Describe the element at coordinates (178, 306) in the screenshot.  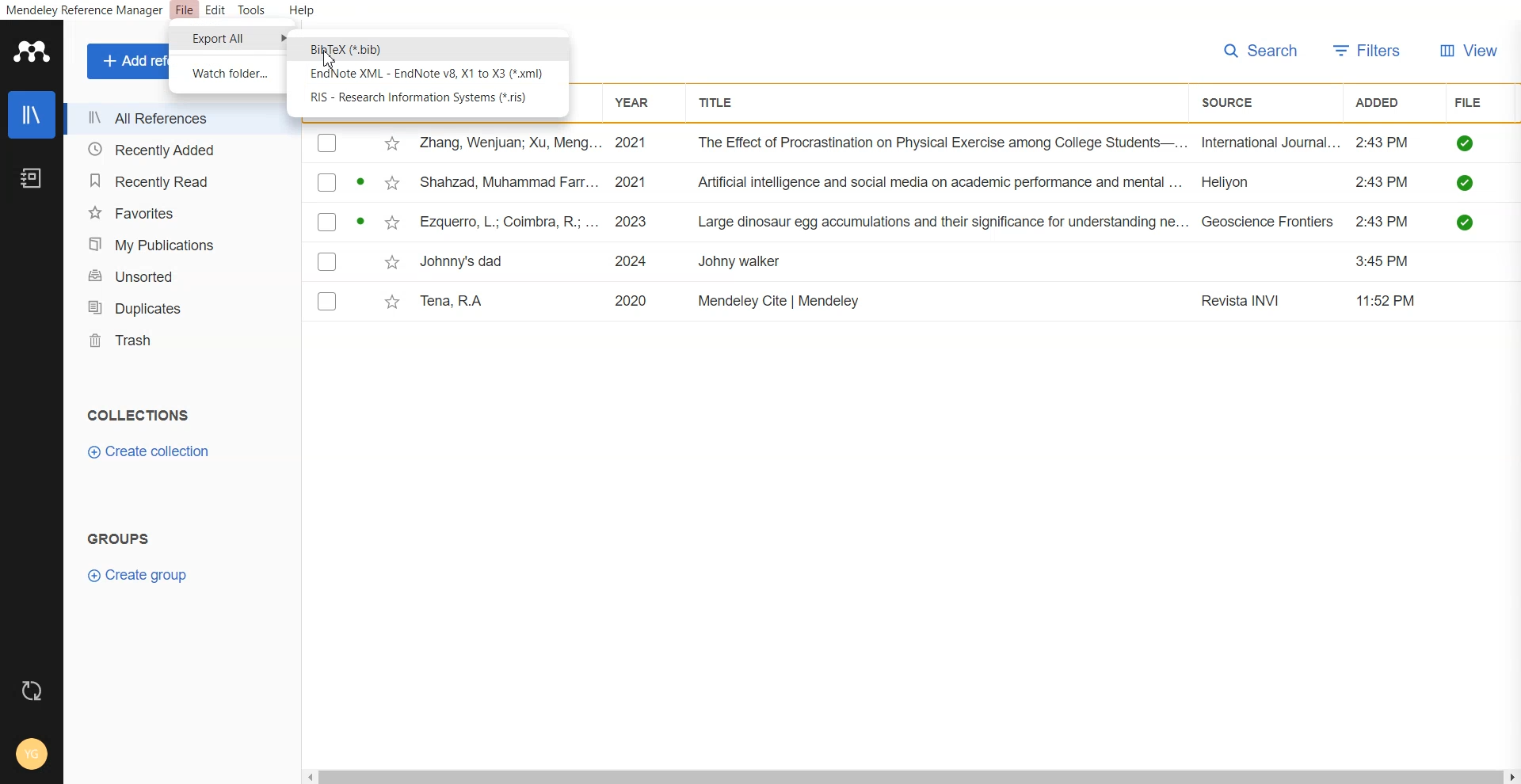
I see `Duplicates` at that location.